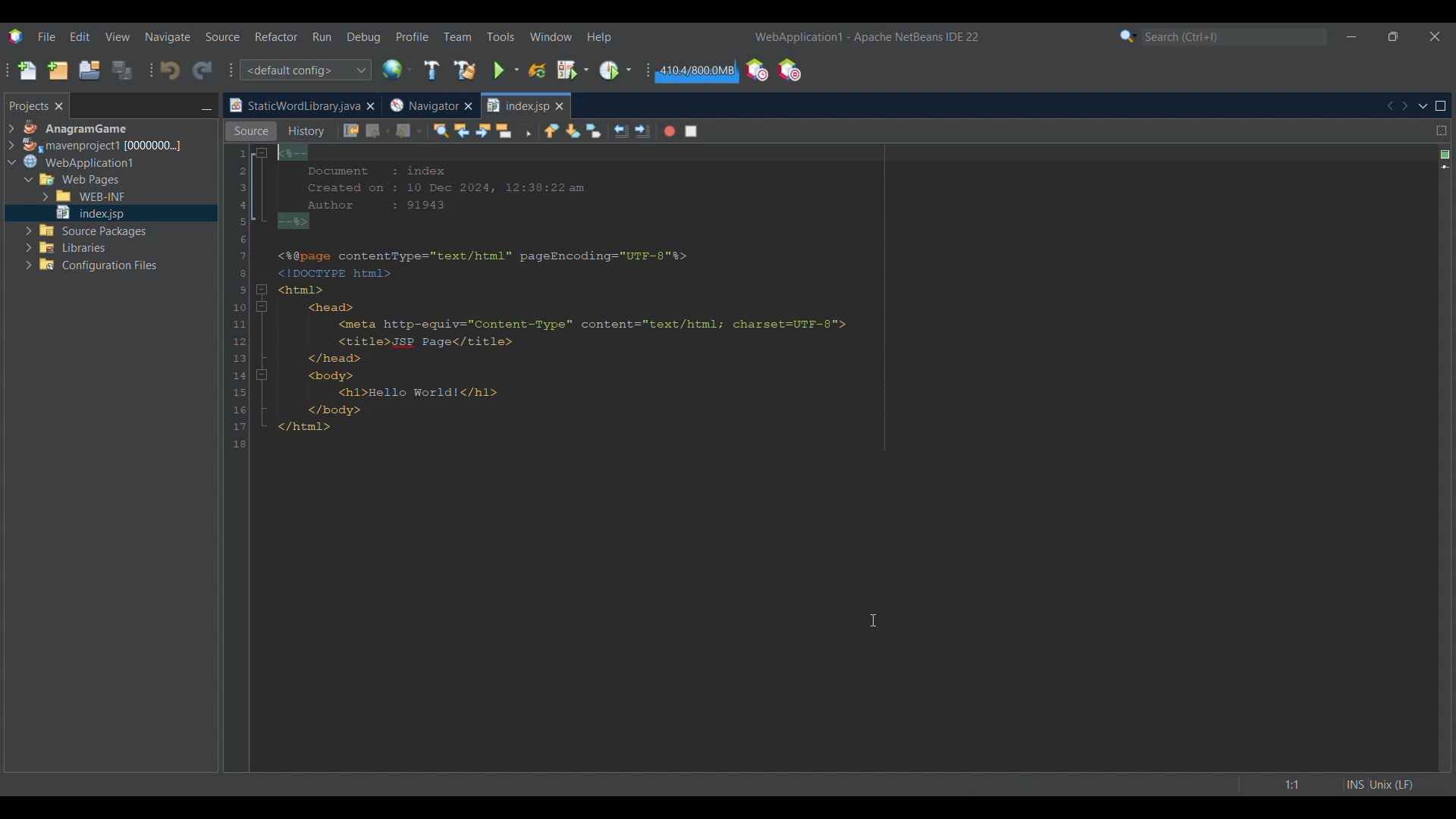  I want to click on No error, so click(1446, 155).